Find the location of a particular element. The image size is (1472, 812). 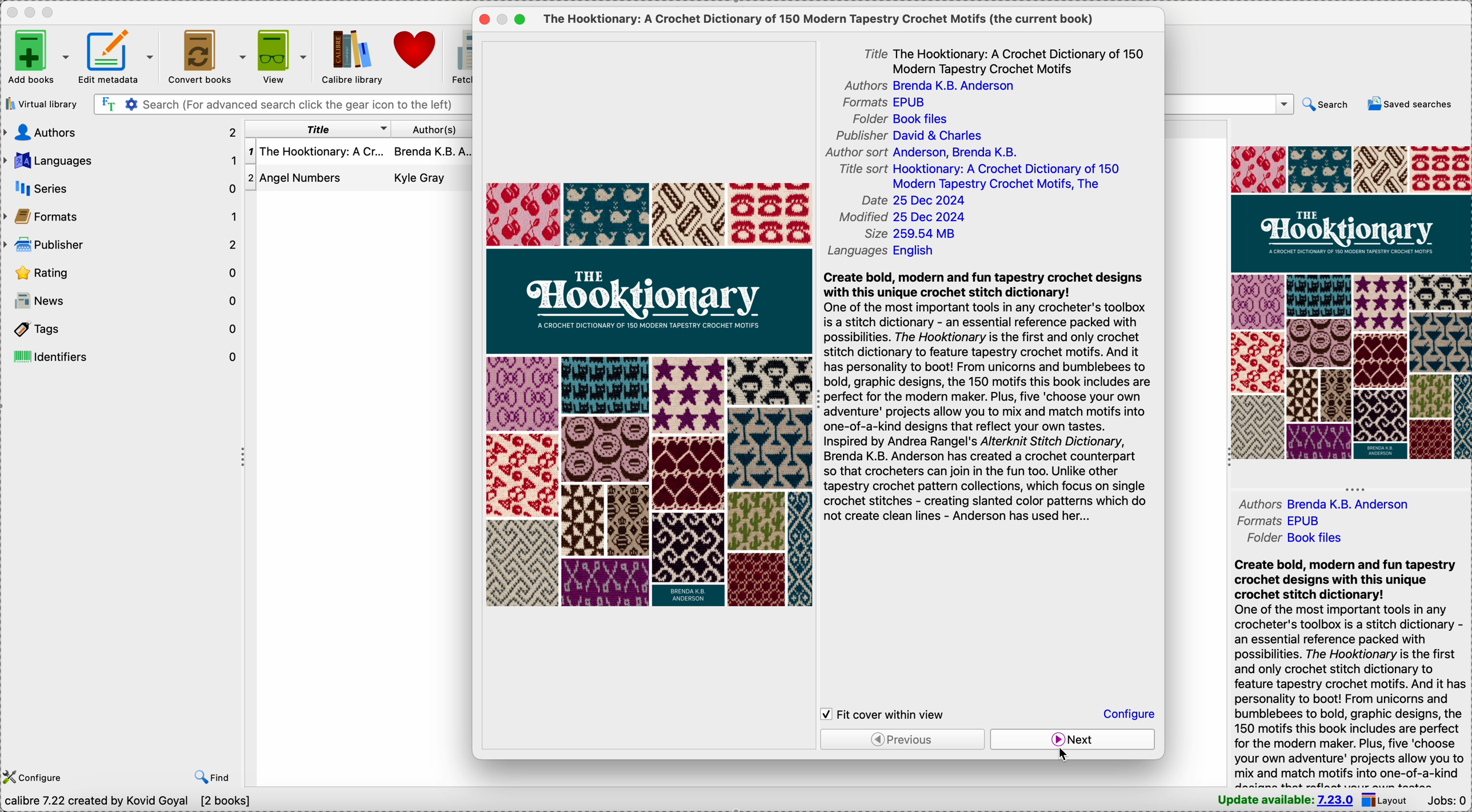

modified is located at coordinates (903, 218).